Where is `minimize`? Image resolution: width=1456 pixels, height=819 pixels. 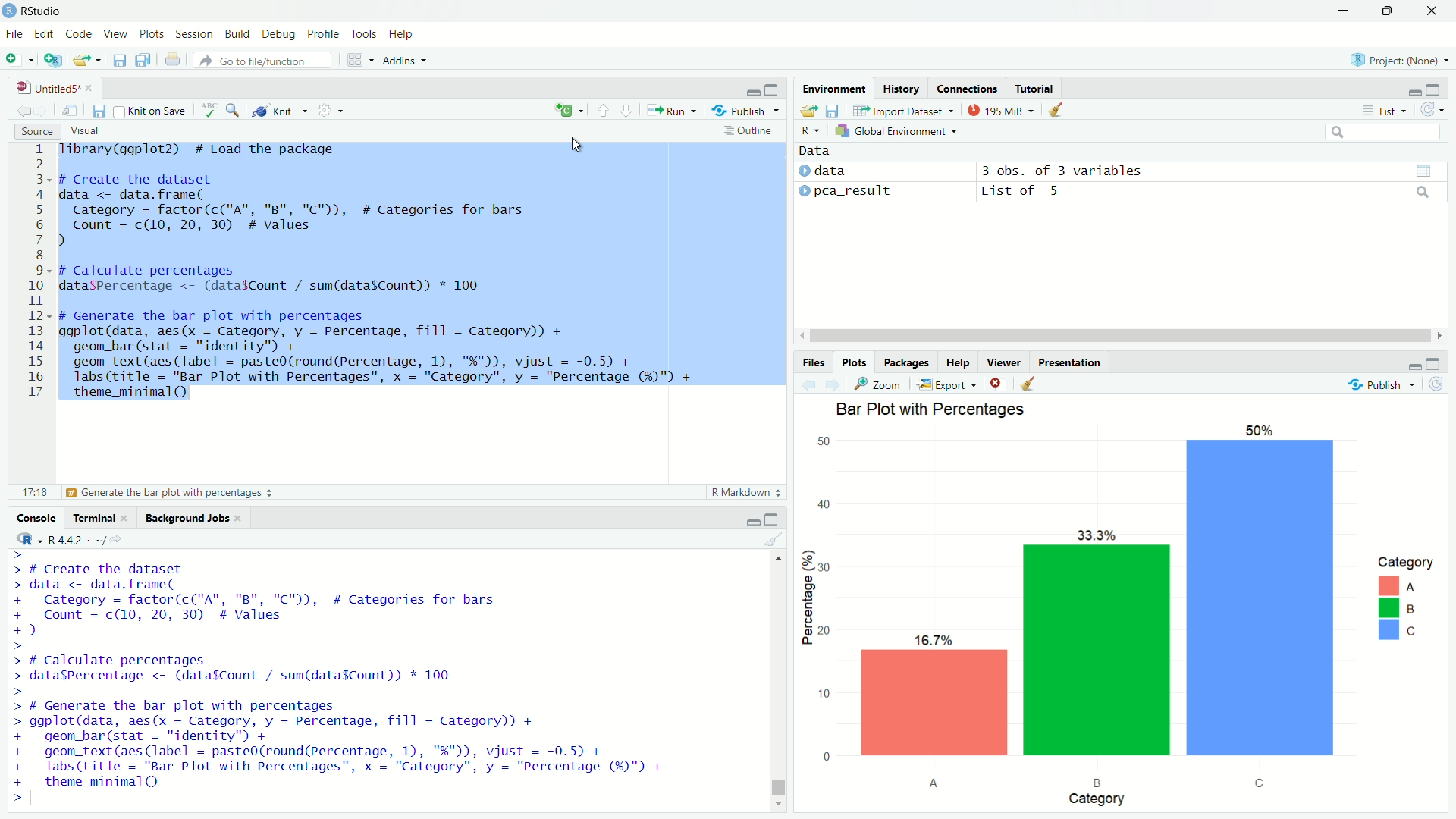
minimize is located at coordinates (753, 518).